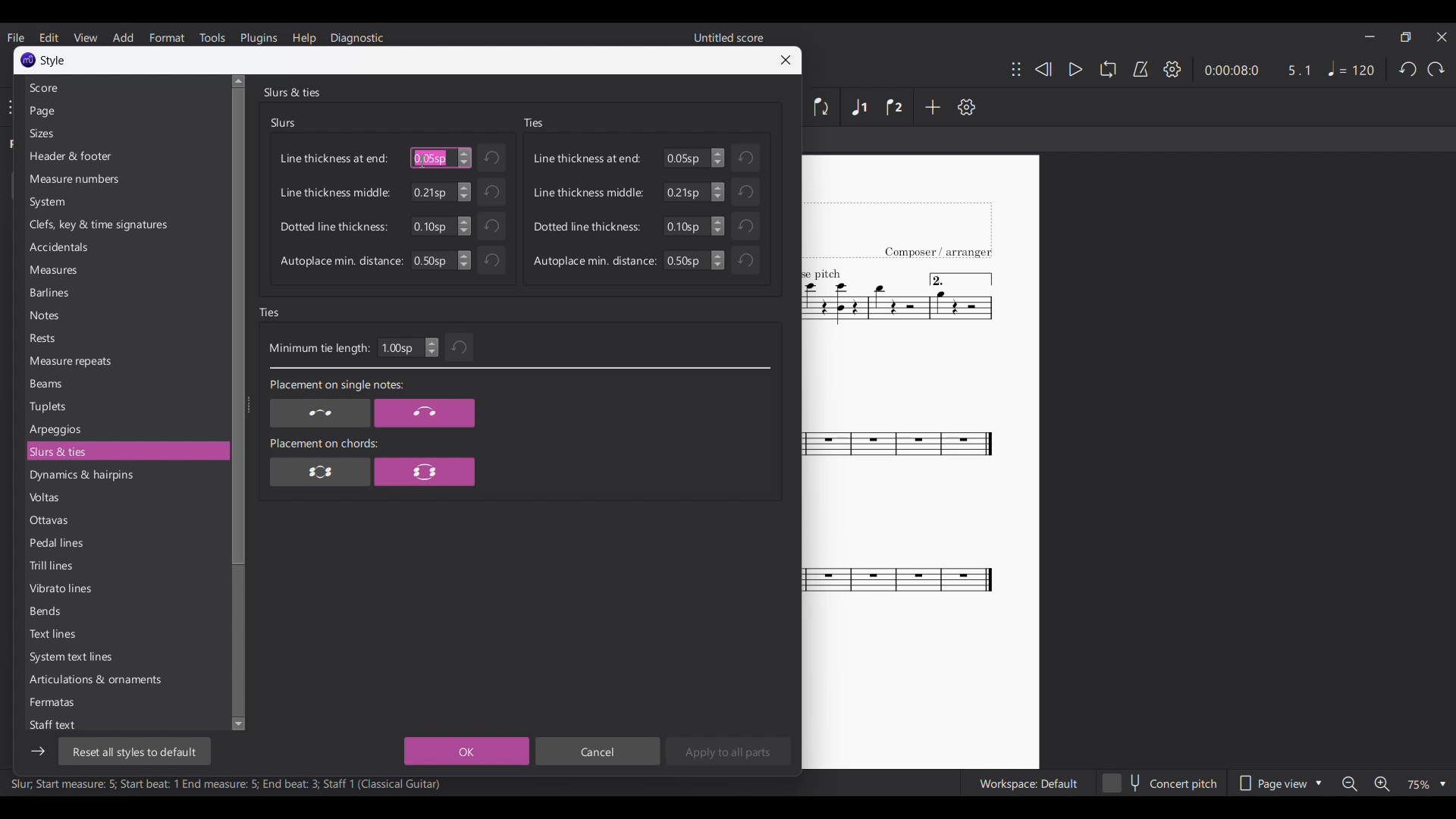 Image resolution: width=1456 pixels, height=819 pixels. I want to click on Header & footer, so click(125, 156).